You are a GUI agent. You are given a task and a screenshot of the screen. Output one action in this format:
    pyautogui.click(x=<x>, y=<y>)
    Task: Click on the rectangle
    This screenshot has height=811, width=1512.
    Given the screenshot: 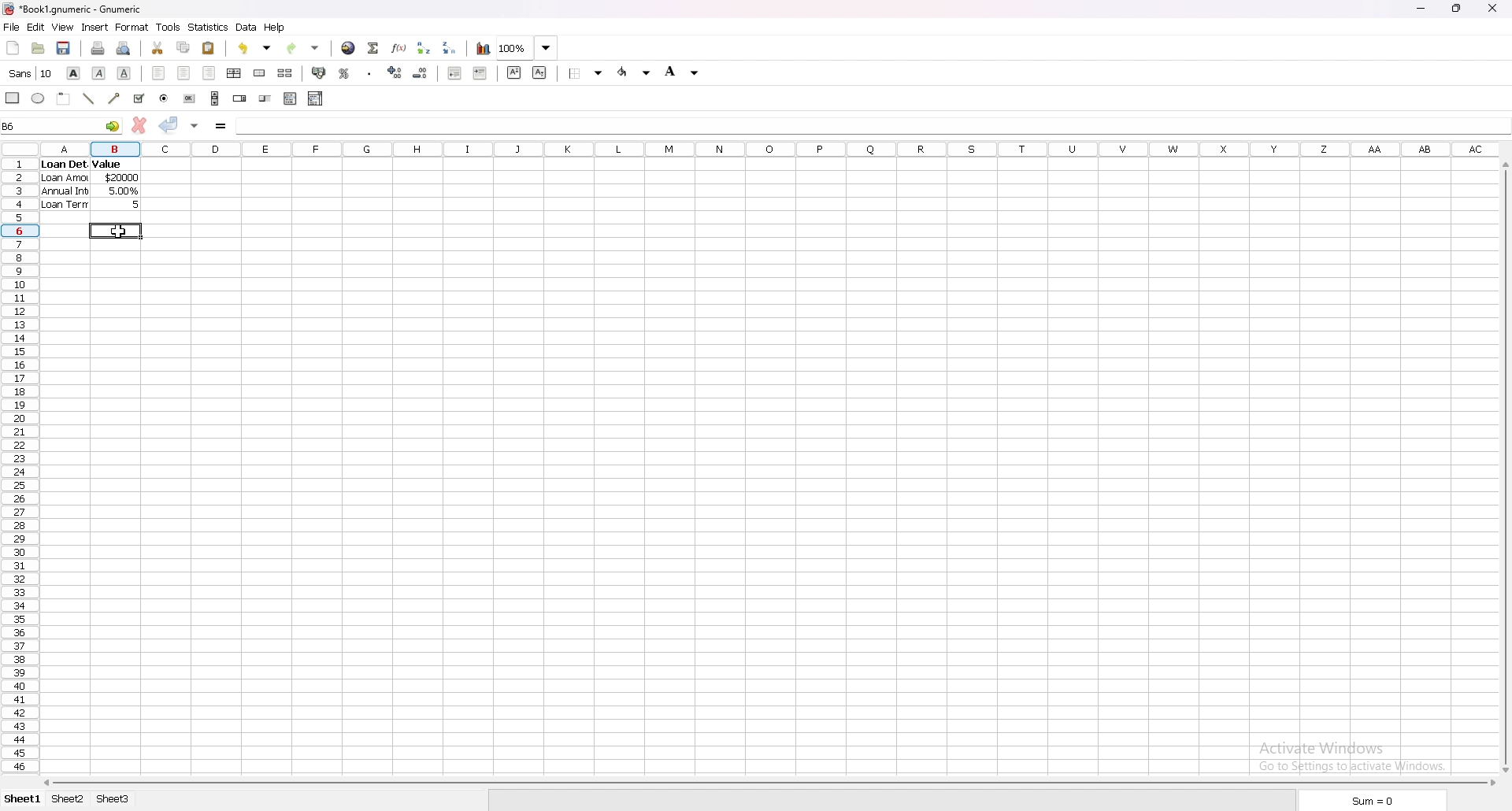 What is the action you would take?
    pyautogui.click(x=13, y=97)
    